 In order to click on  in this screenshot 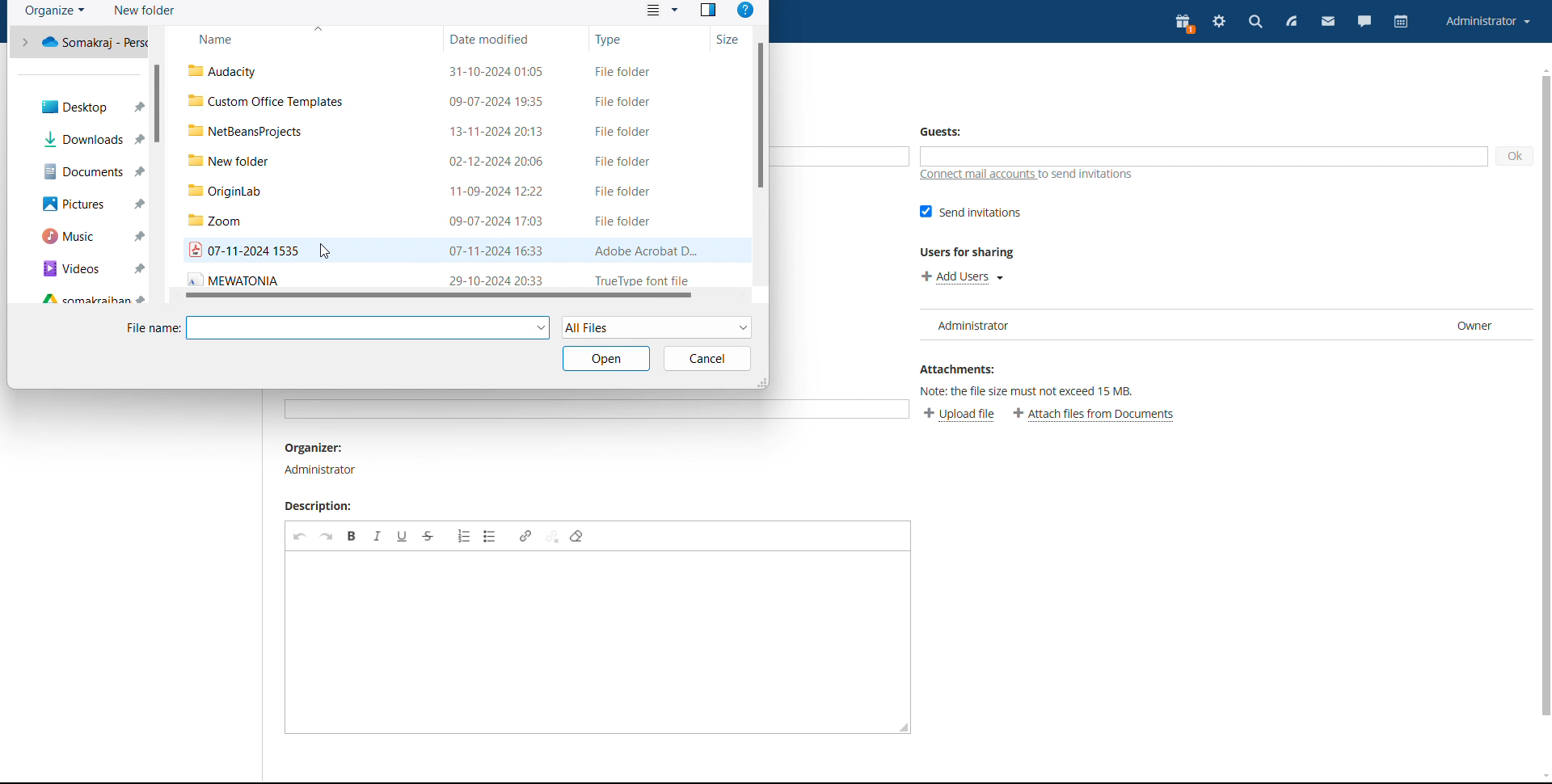, I will do `click(588, 413)`.